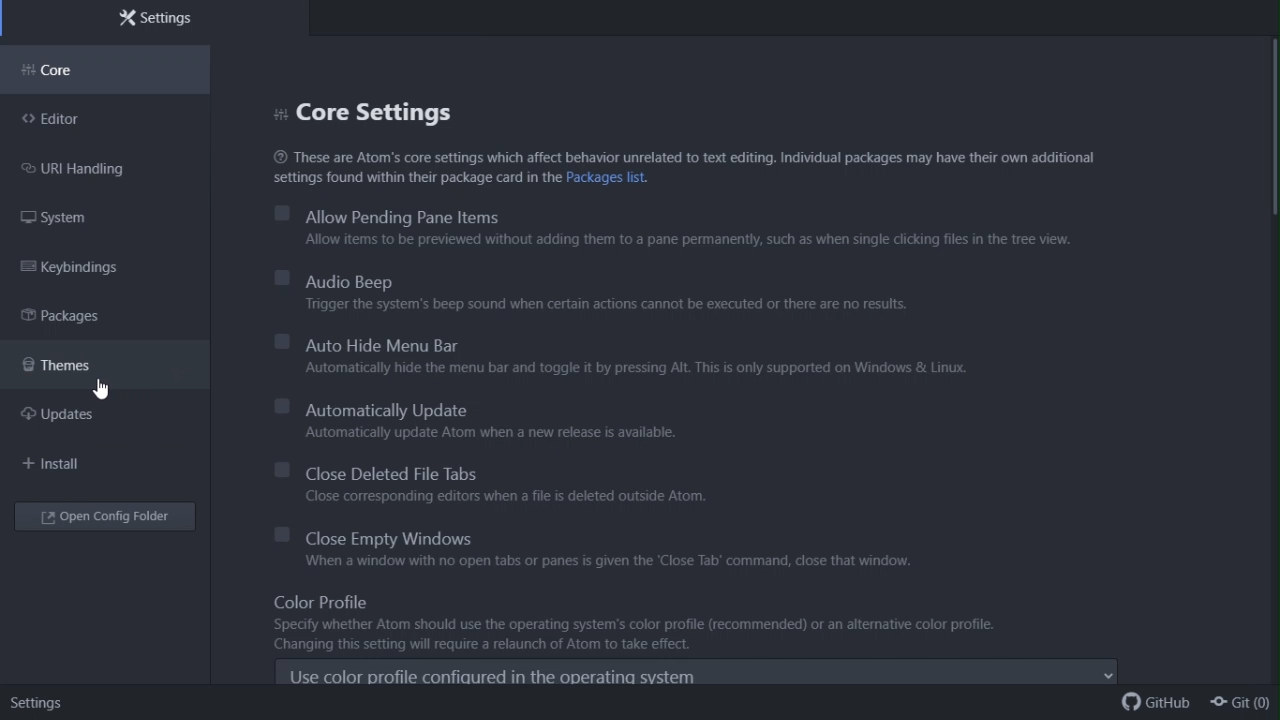 The width and height of the screenshot is (1280, 720). Describe the element at coordinates (483, 483) in the screenshot. I see `Close deleted file tabs` at that location.